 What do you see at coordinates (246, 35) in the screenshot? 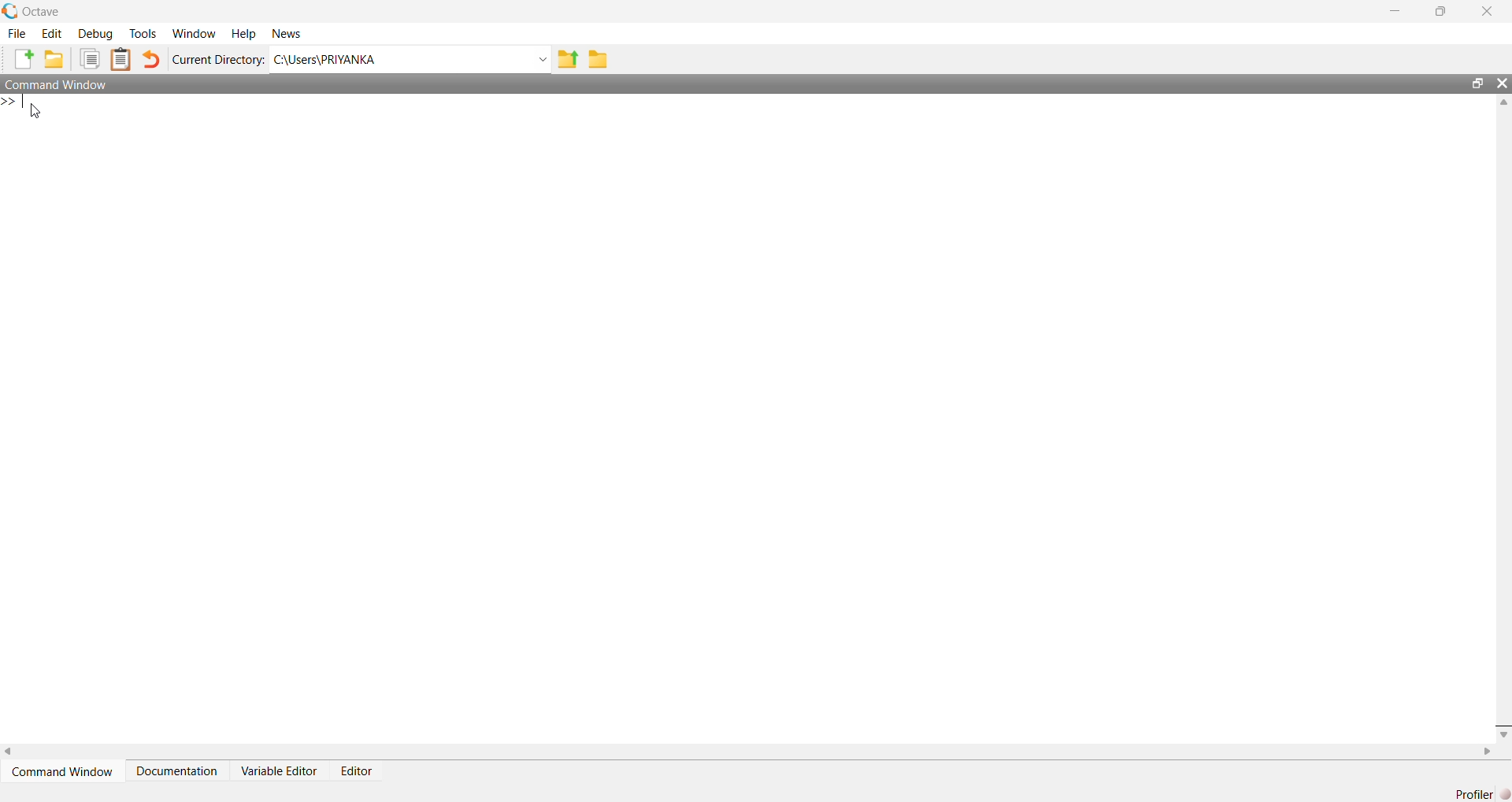
I see `help` at bounding box center [246, 35].